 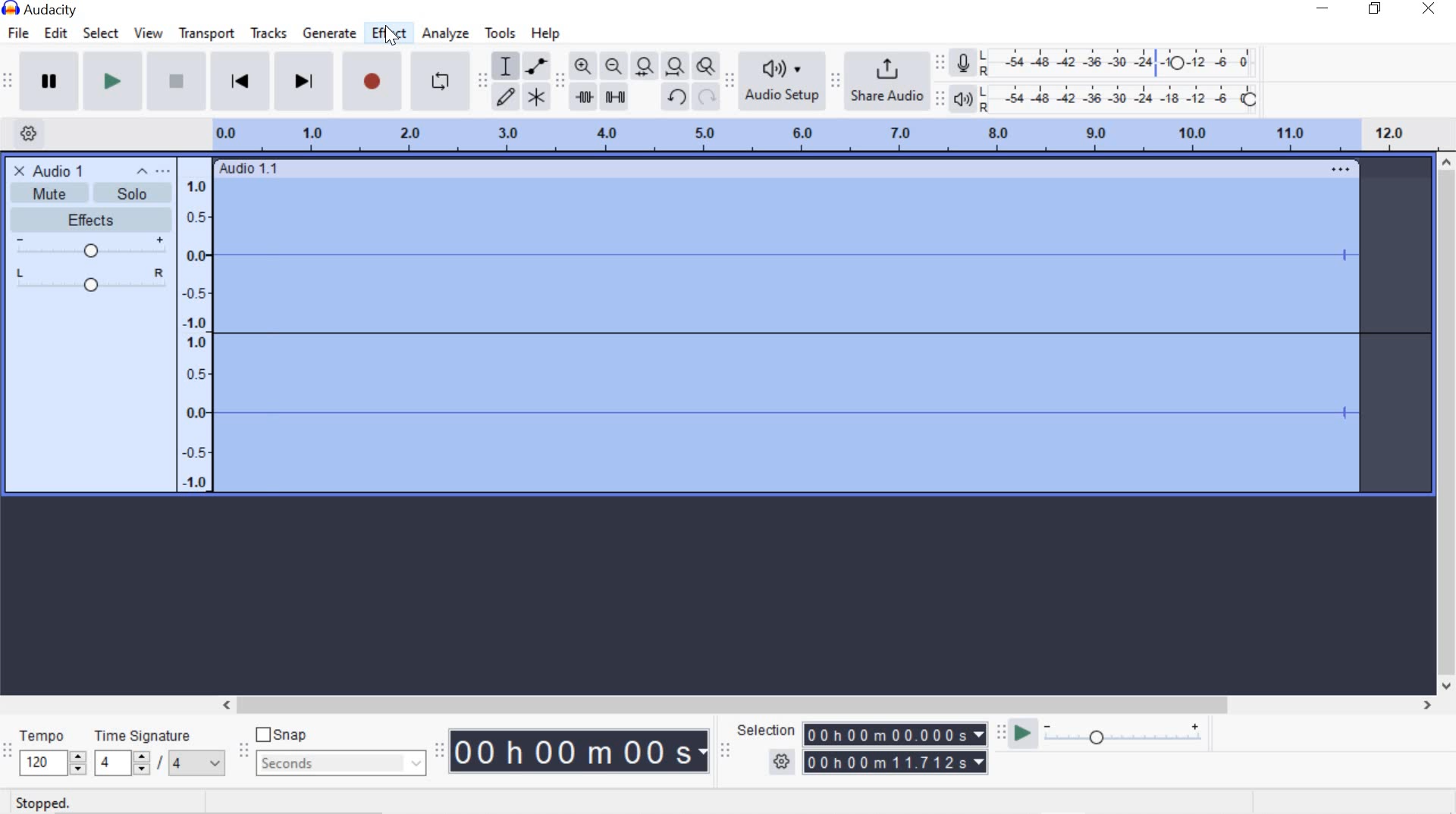 What do you see at coordinates (824, 703) in the screenshot?
I see `scrollbar` at bounding box center [824, 703].